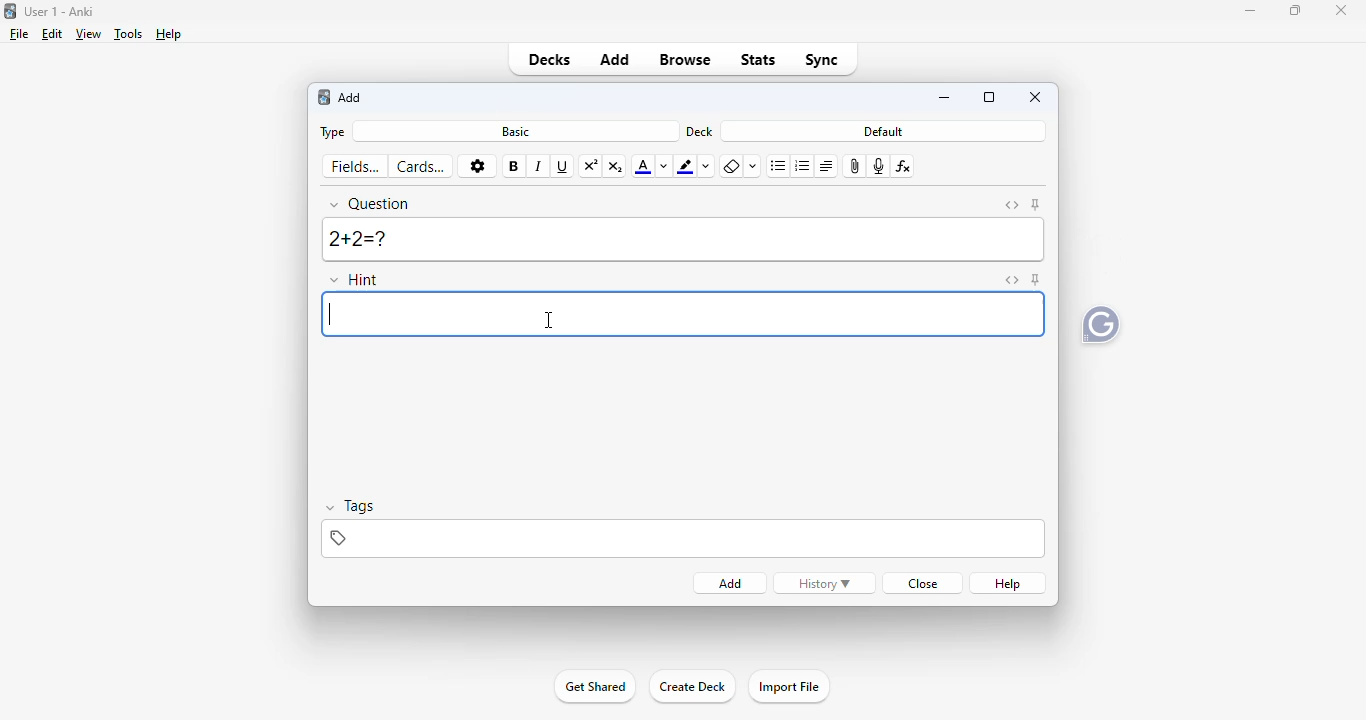  I want to click on minimize, so click(1250, 11).